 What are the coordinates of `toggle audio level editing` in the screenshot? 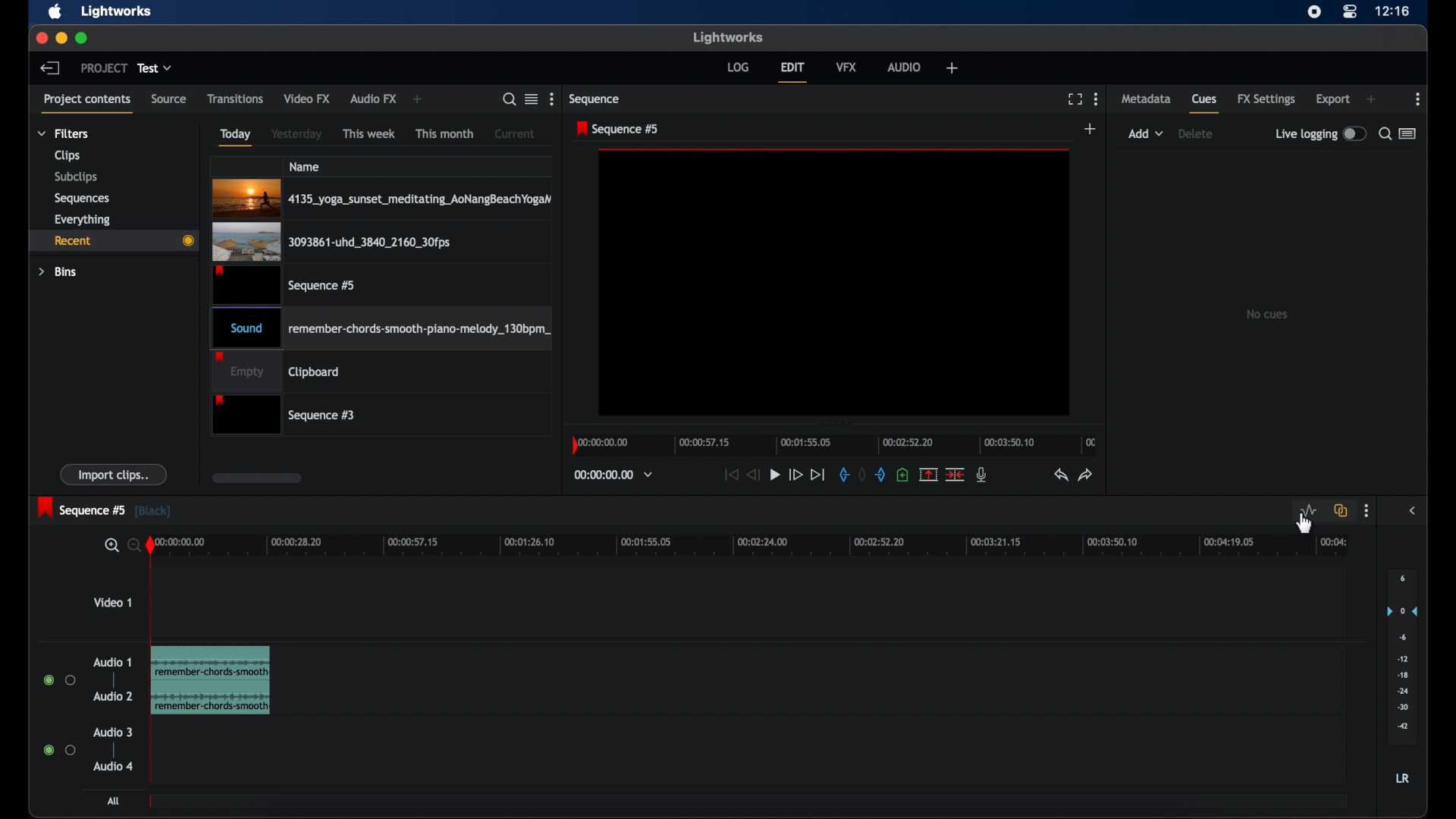 It's located at (1309, 511).